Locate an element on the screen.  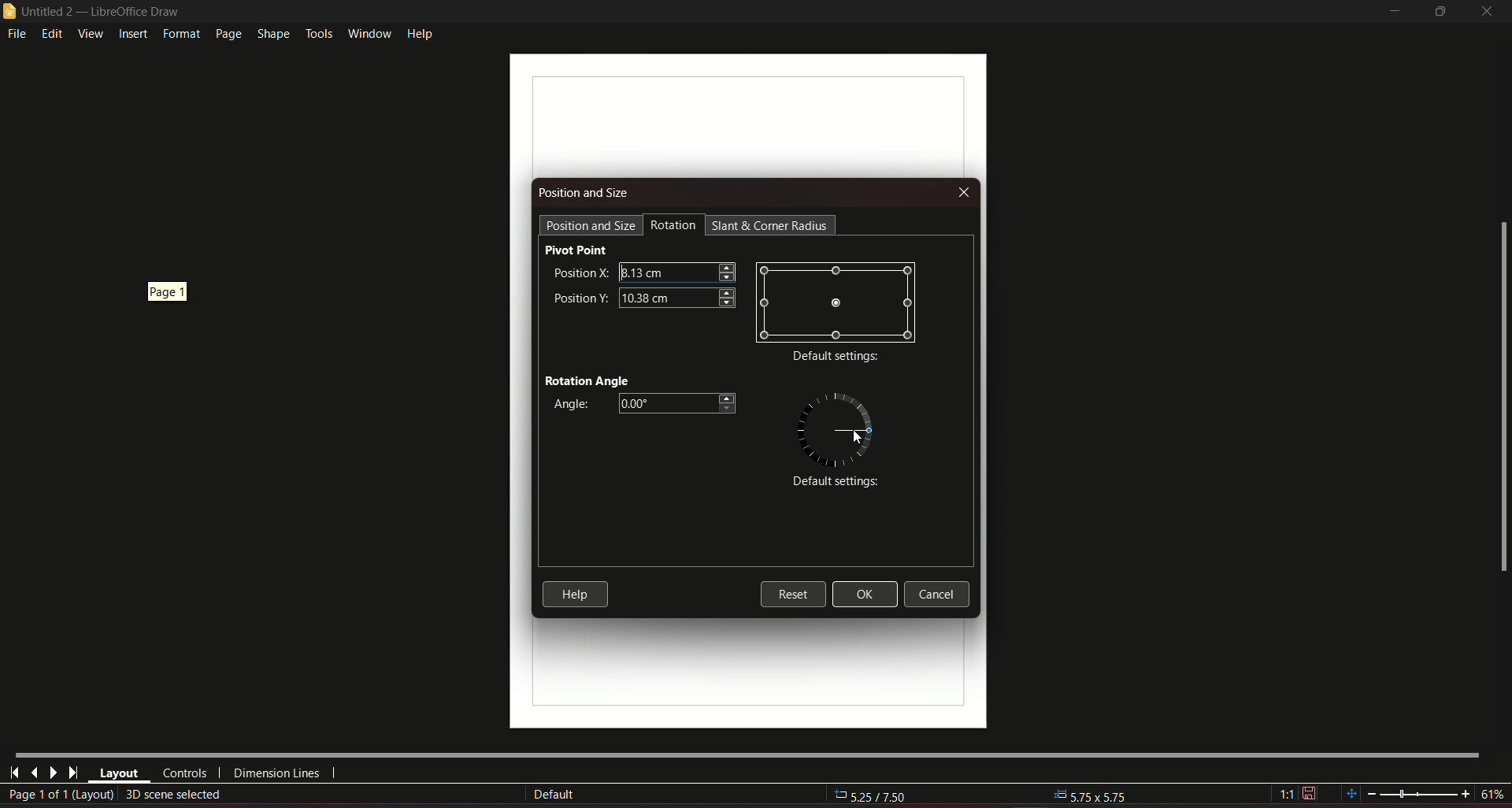
insert is located at coordinates (132, 35).